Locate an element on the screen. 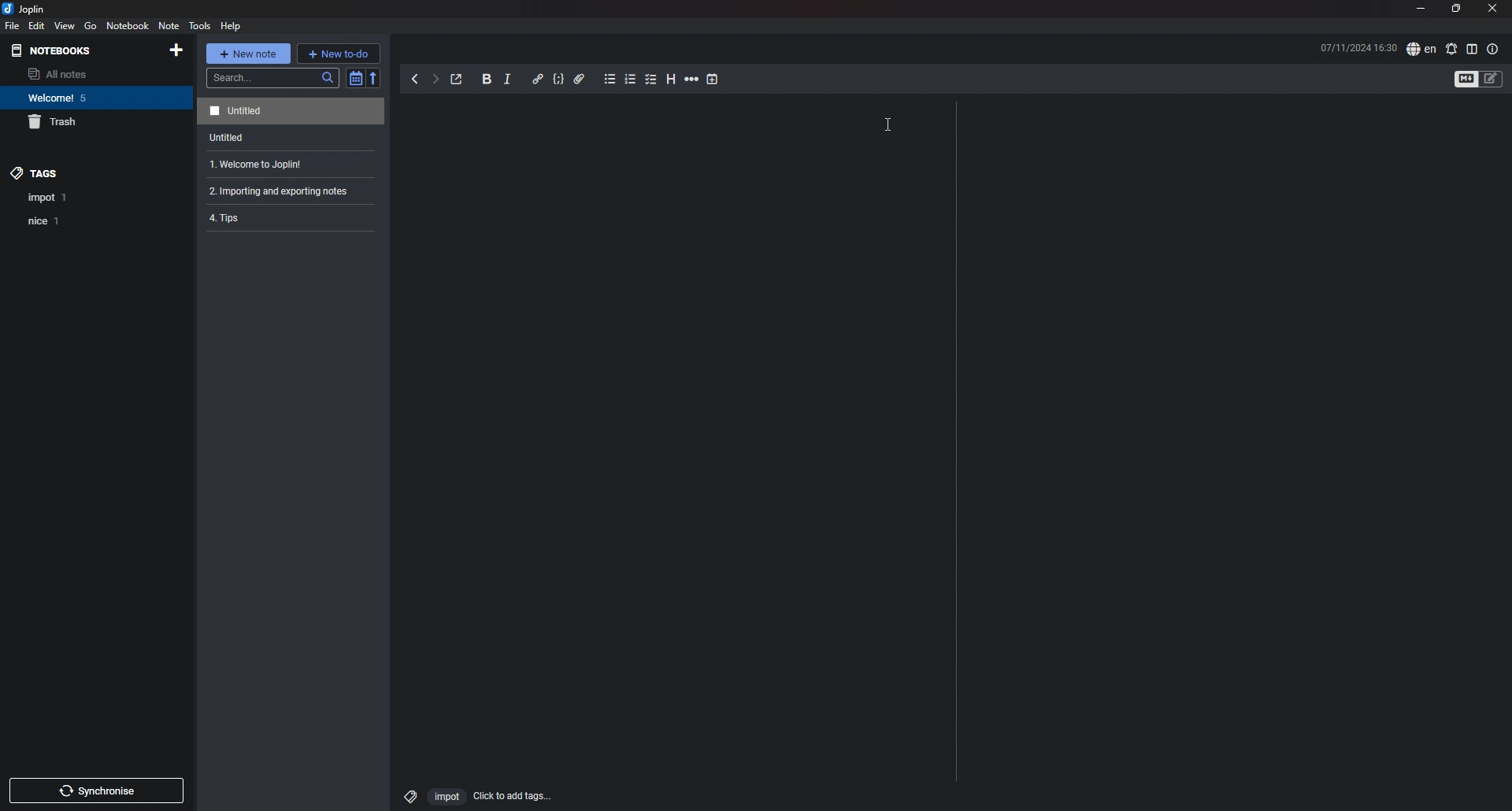 This screenshot has height=811, width=1512. bold is located at coordinates (487, 80).